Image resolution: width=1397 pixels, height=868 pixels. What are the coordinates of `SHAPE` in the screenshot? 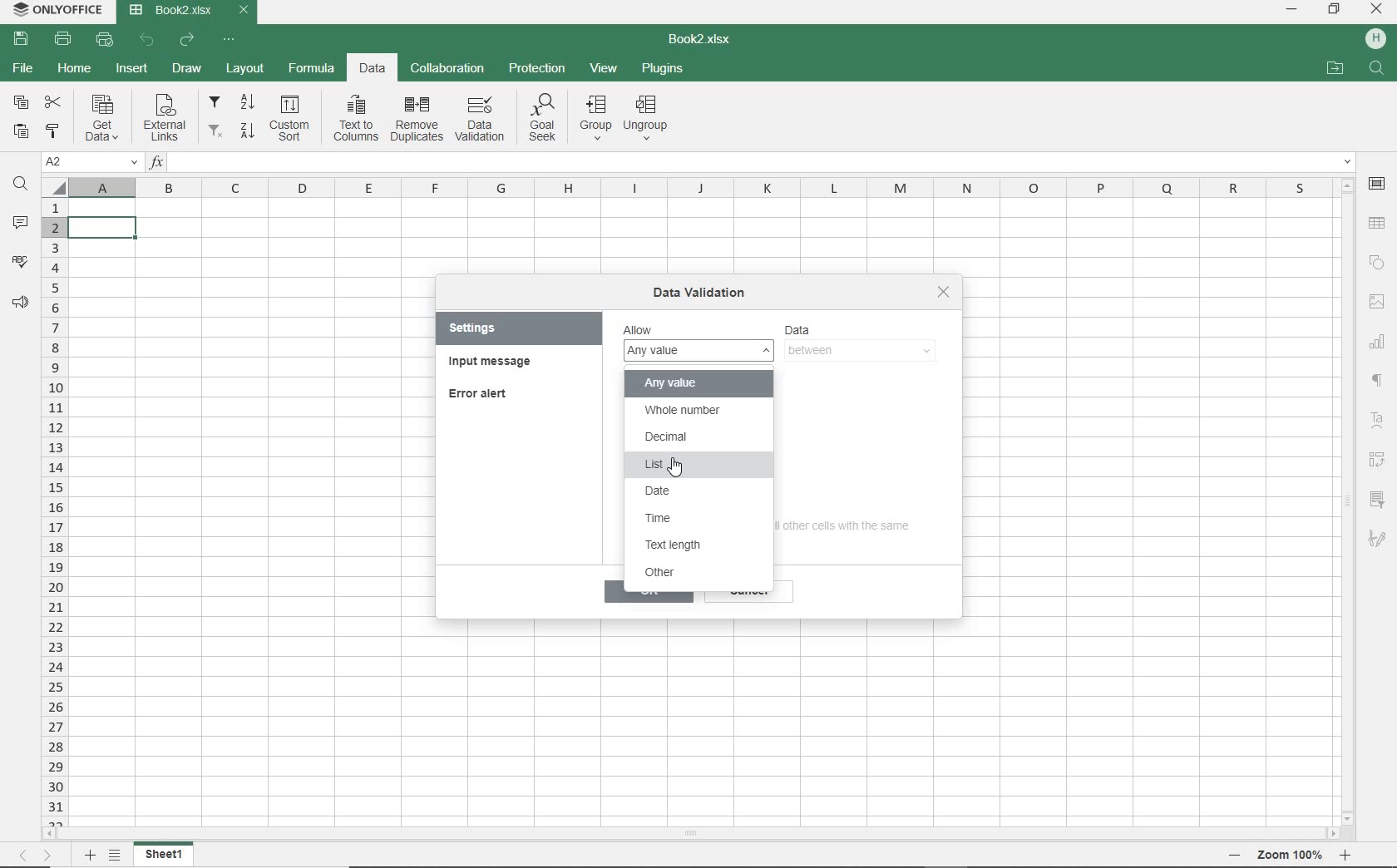 It's located at (1377, 264).